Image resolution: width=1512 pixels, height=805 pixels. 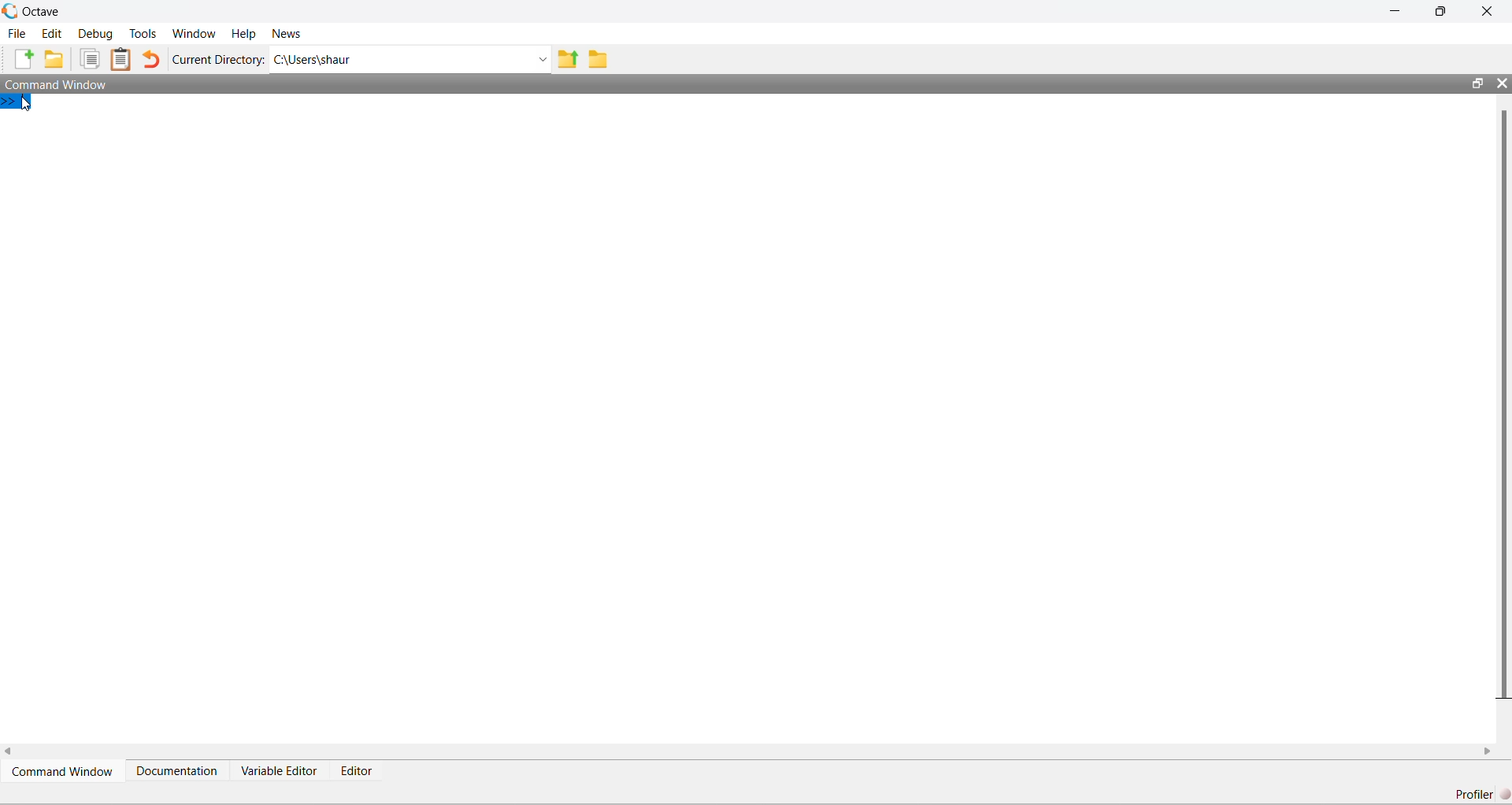 I want to click on Current Directory:, so click(x=218, y=60).